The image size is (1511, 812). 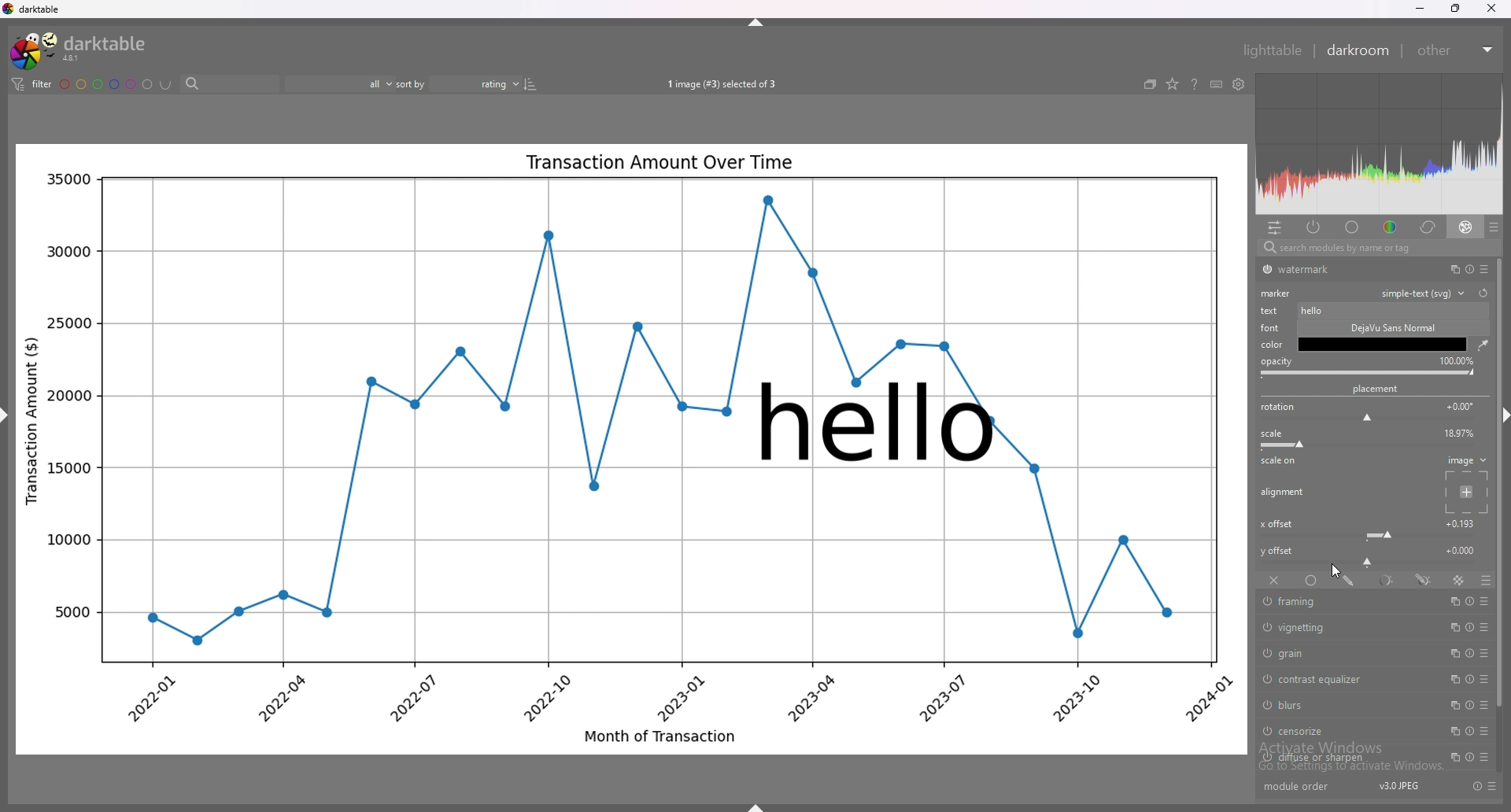 I want to click on reset, so click(x=1467, y=680).